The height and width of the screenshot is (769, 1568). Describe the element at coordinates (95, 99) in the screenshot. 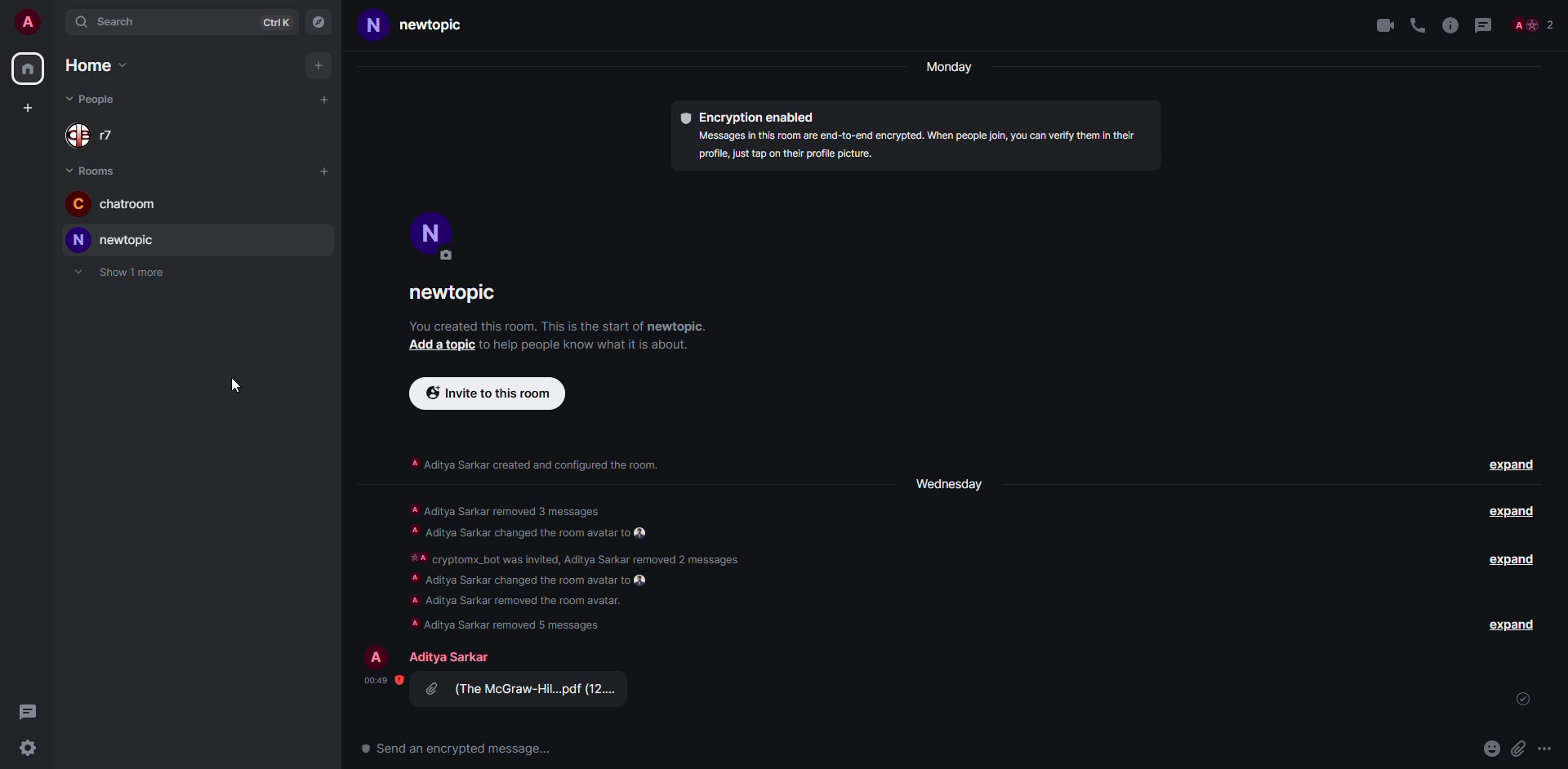

I see `people` at that location.